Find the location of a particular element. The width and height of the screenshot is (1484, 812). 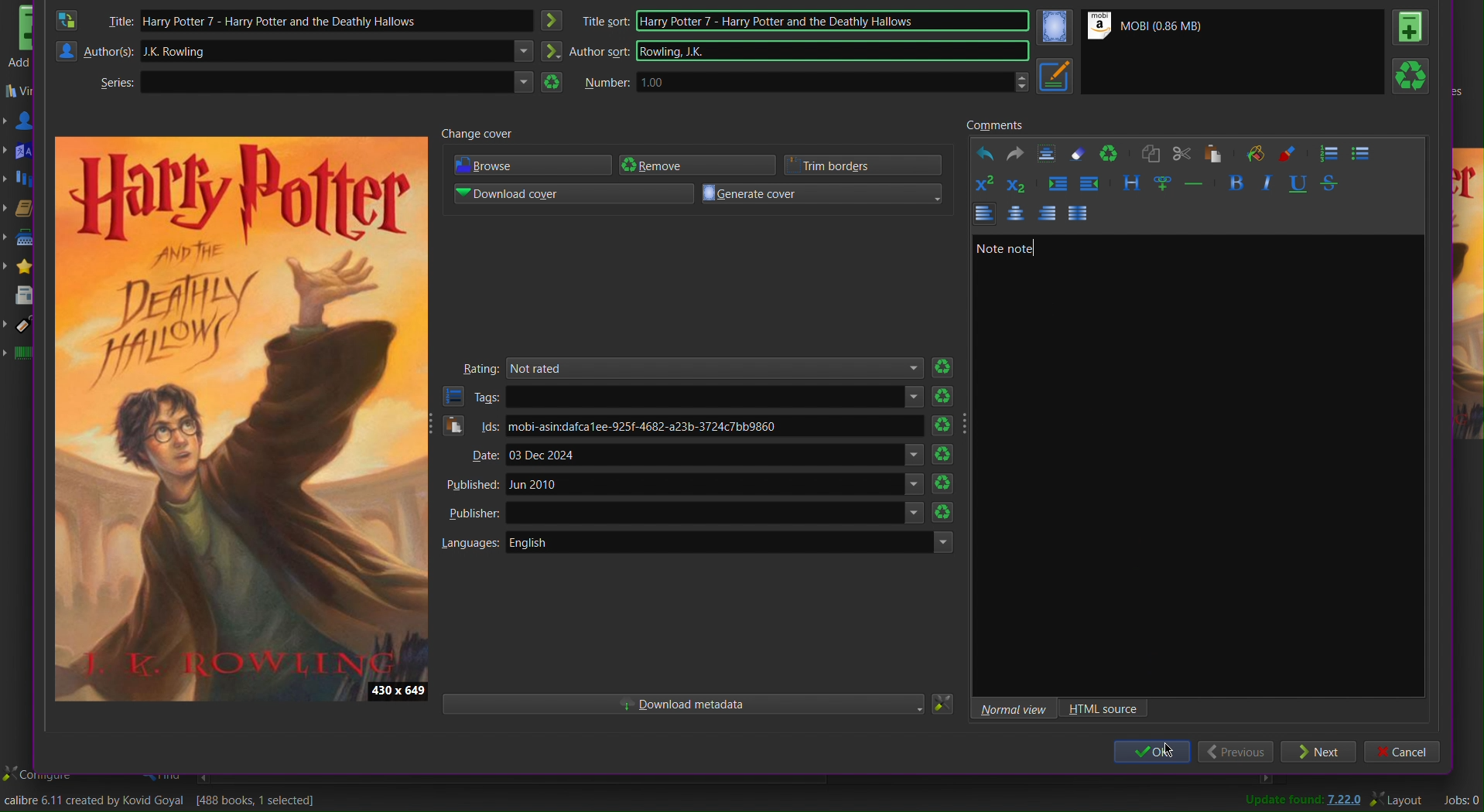

Virtual library is located at coordinates (23, 92).